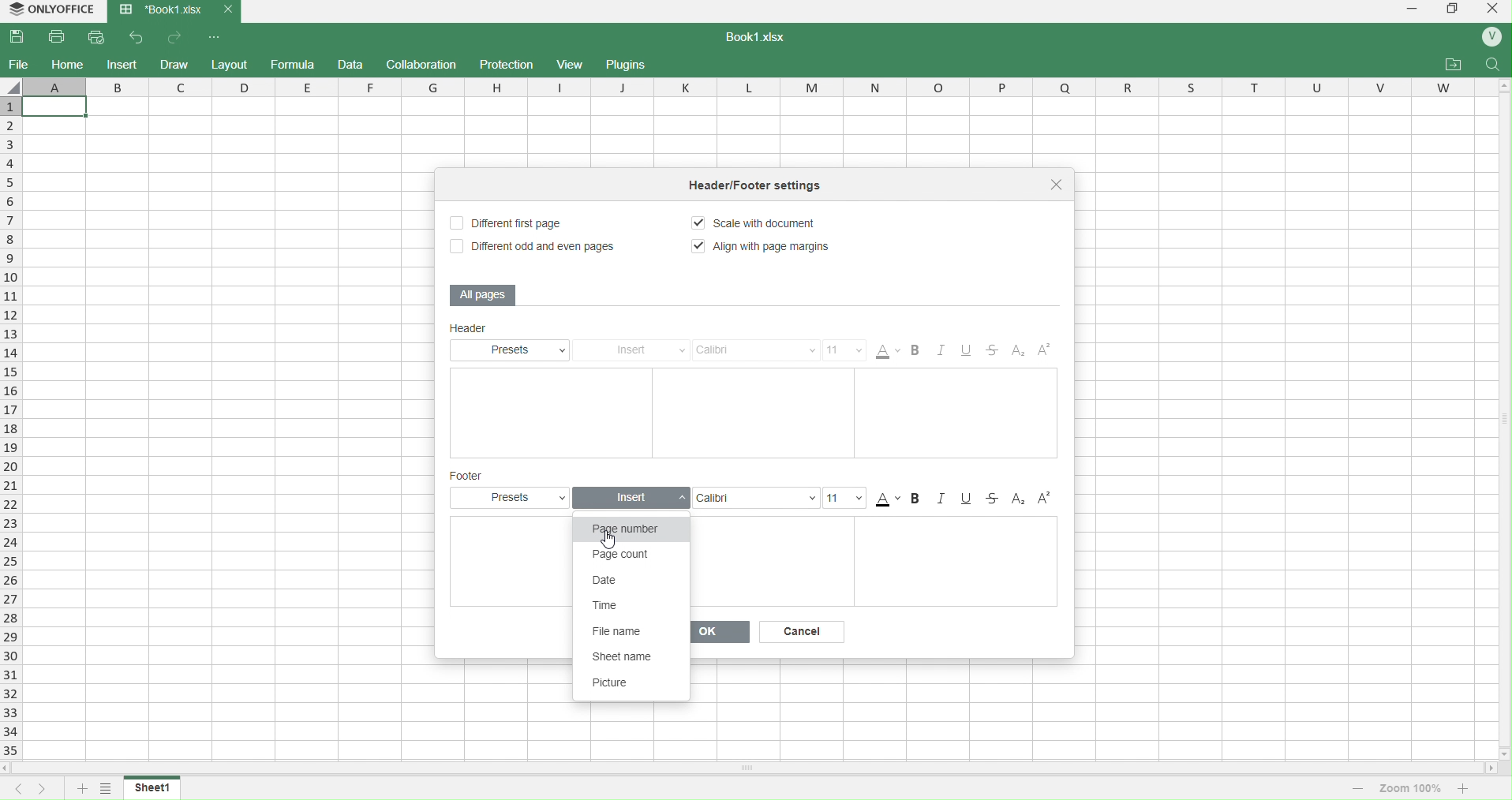  I want to click on Strikethrough, so click(996, 352).